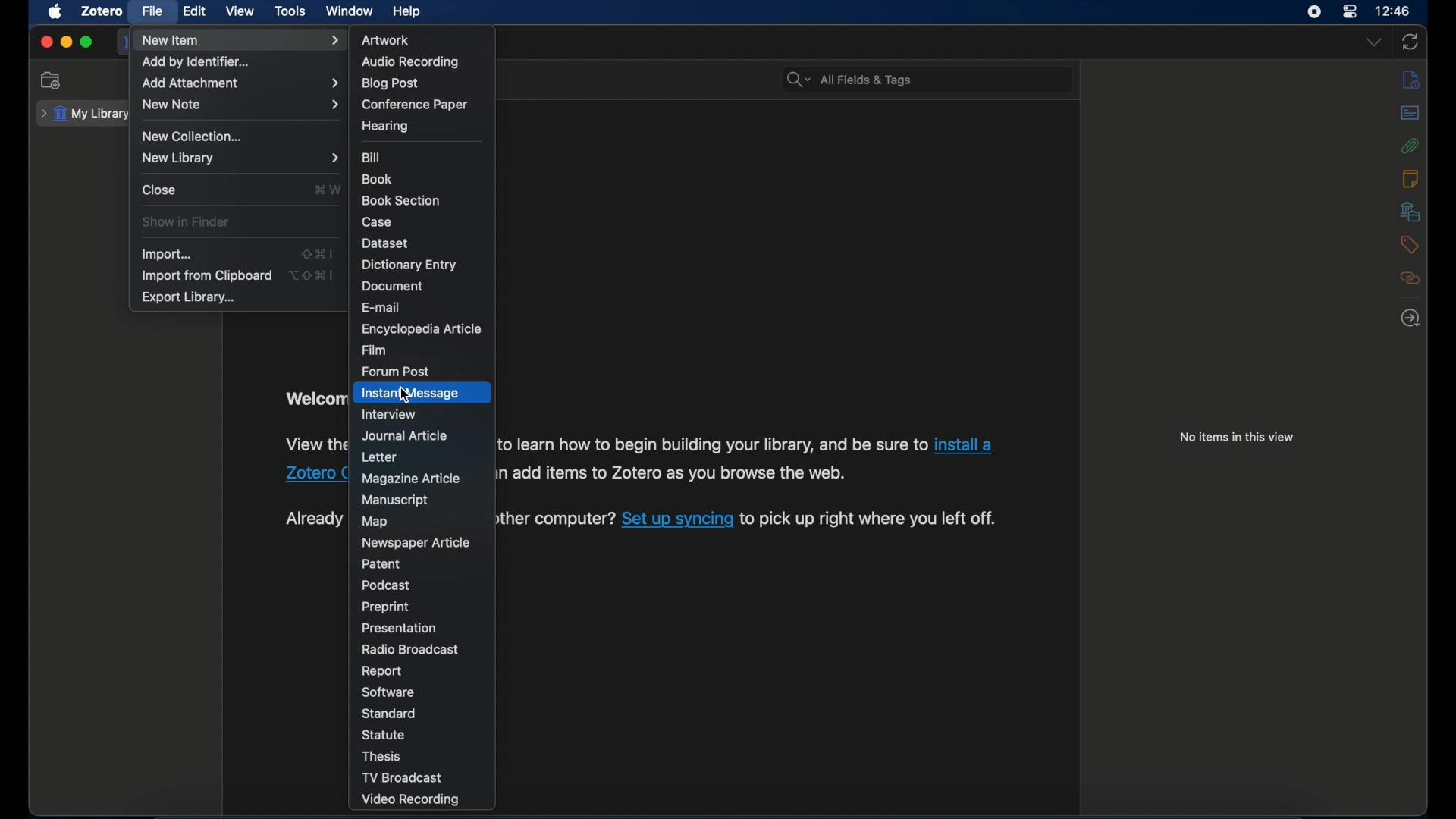  I want to click on blogpost, so click(390, 84).